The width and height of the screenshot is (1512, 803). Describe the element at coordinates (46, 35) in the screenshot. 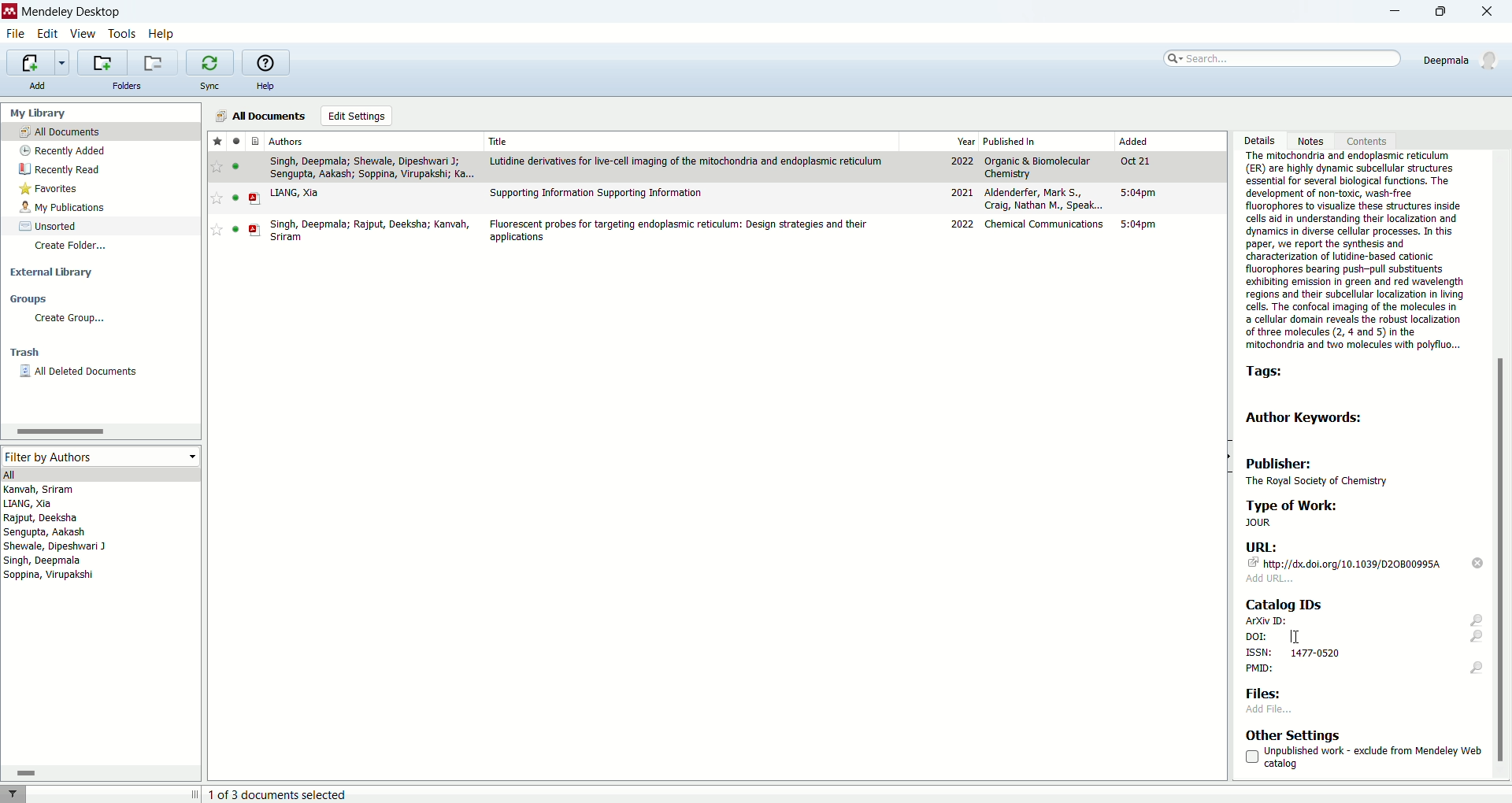

I see `edit` at that location.